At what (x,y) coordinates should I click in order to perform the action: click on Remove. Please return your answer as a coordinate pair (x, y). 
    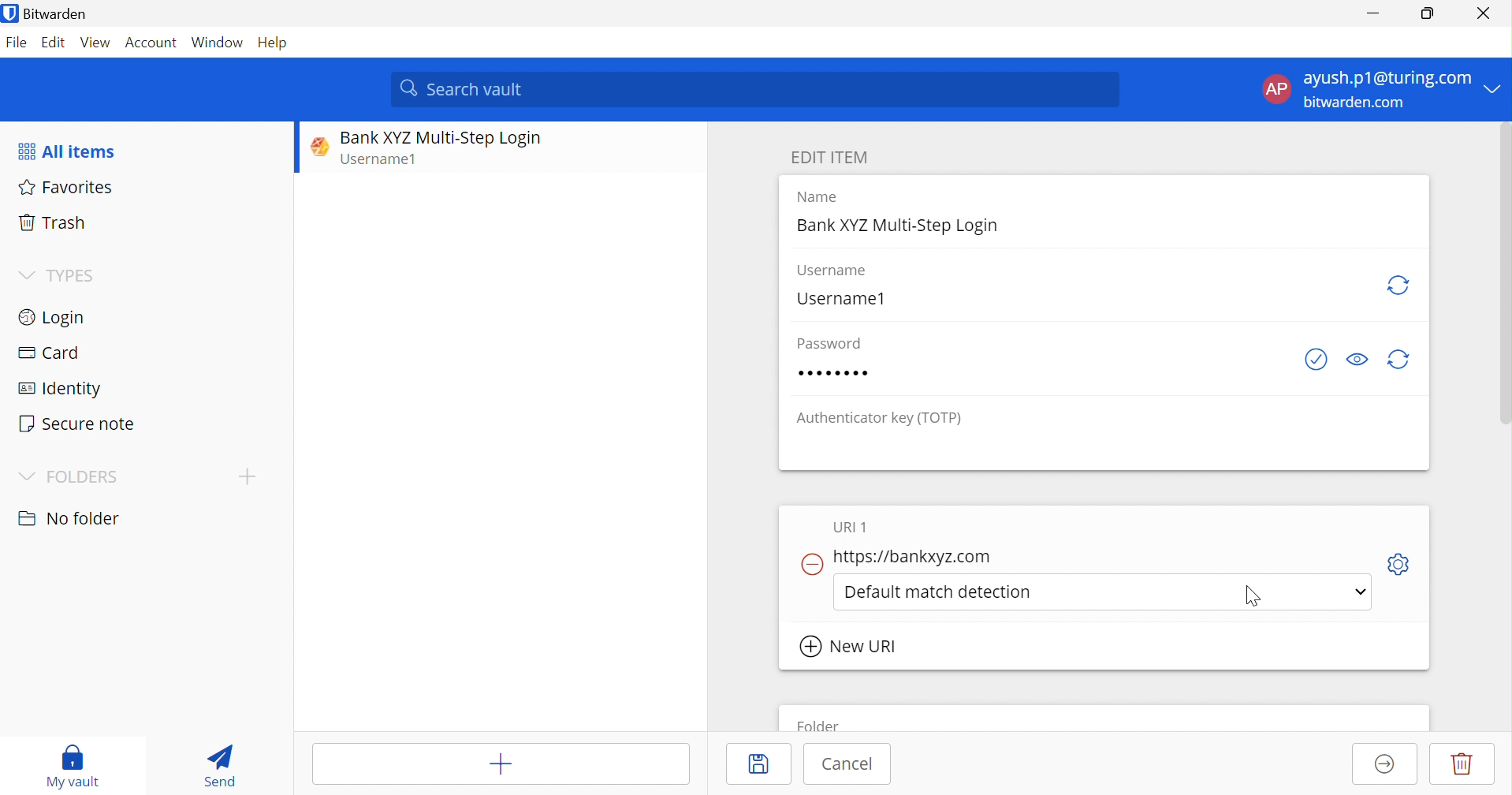
    Looking at the image, I should click on (810, 565).